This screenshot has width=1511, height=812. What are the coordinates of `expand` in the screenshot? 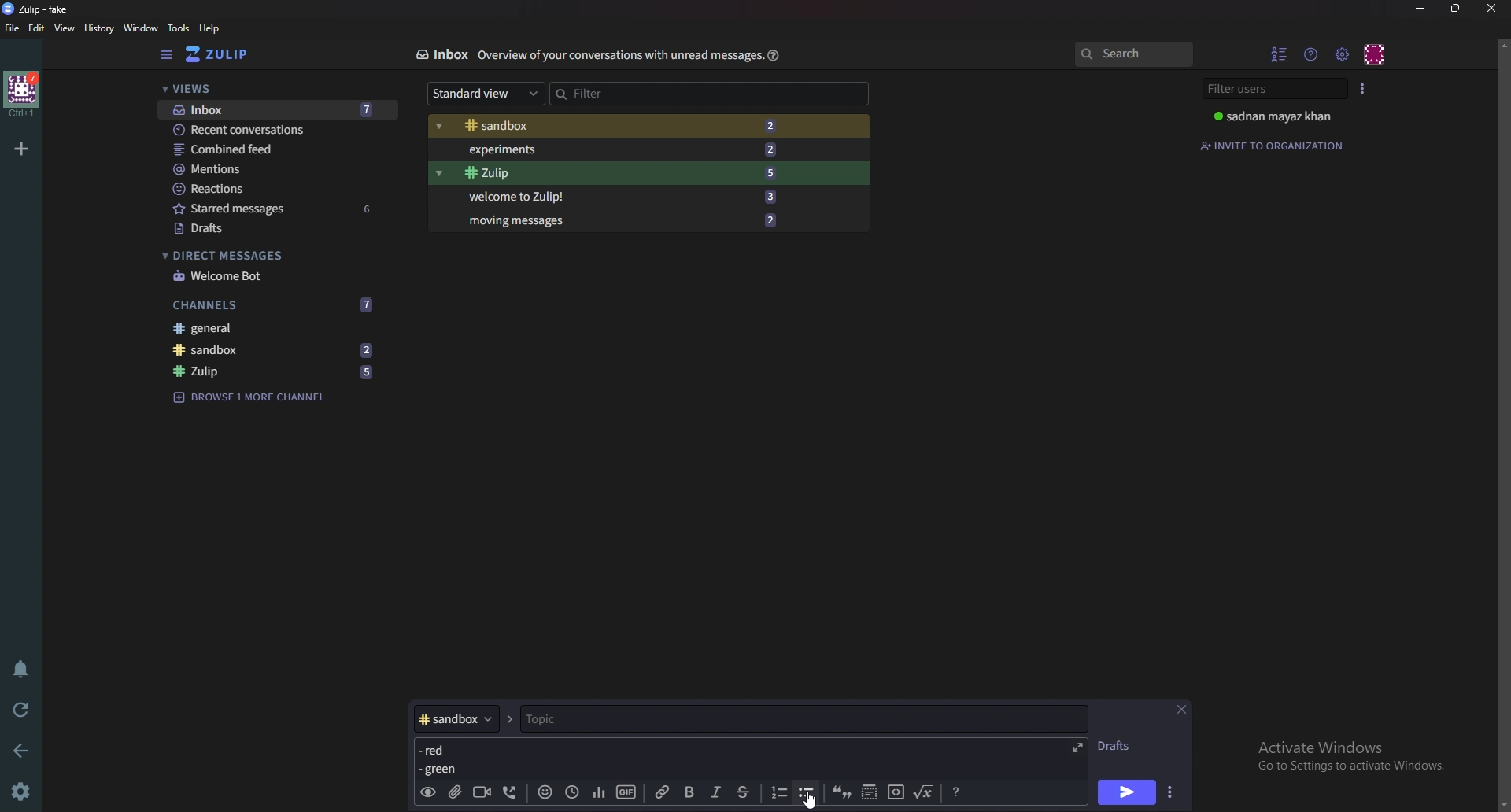 It's located at (1075, 747).